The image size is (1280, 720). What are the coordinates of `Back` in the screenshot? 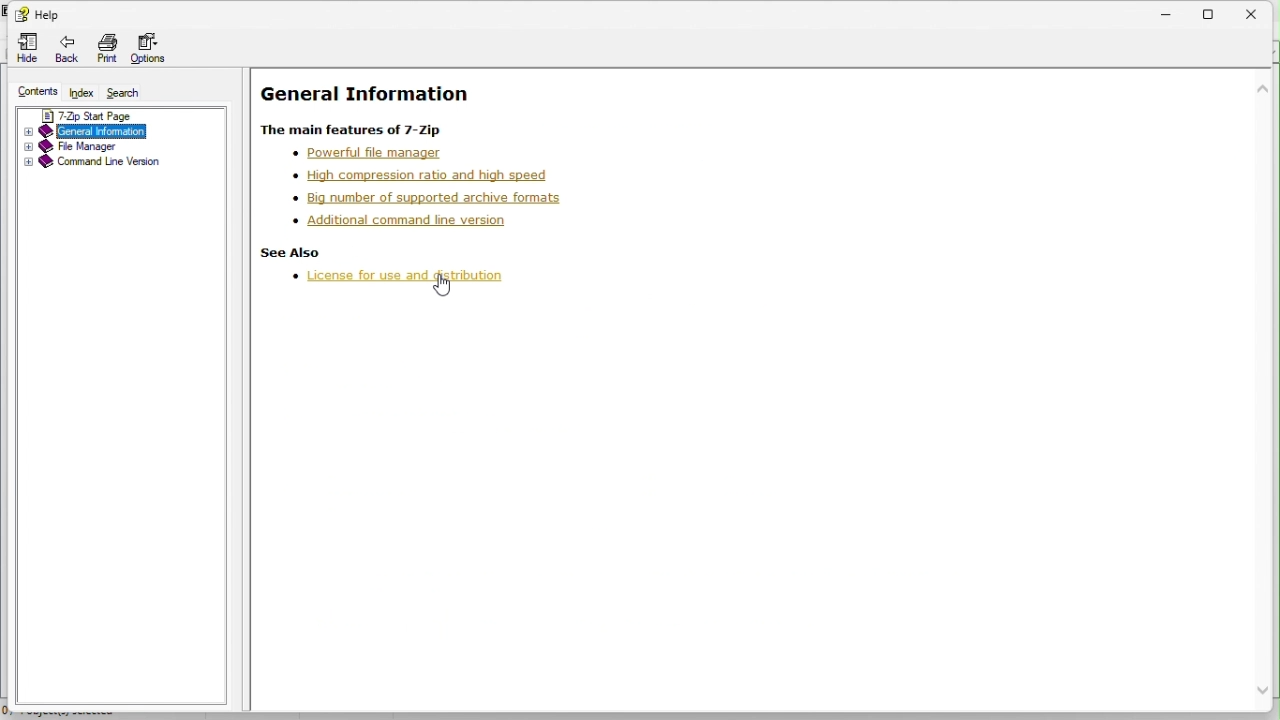 It's located at (66, 51).